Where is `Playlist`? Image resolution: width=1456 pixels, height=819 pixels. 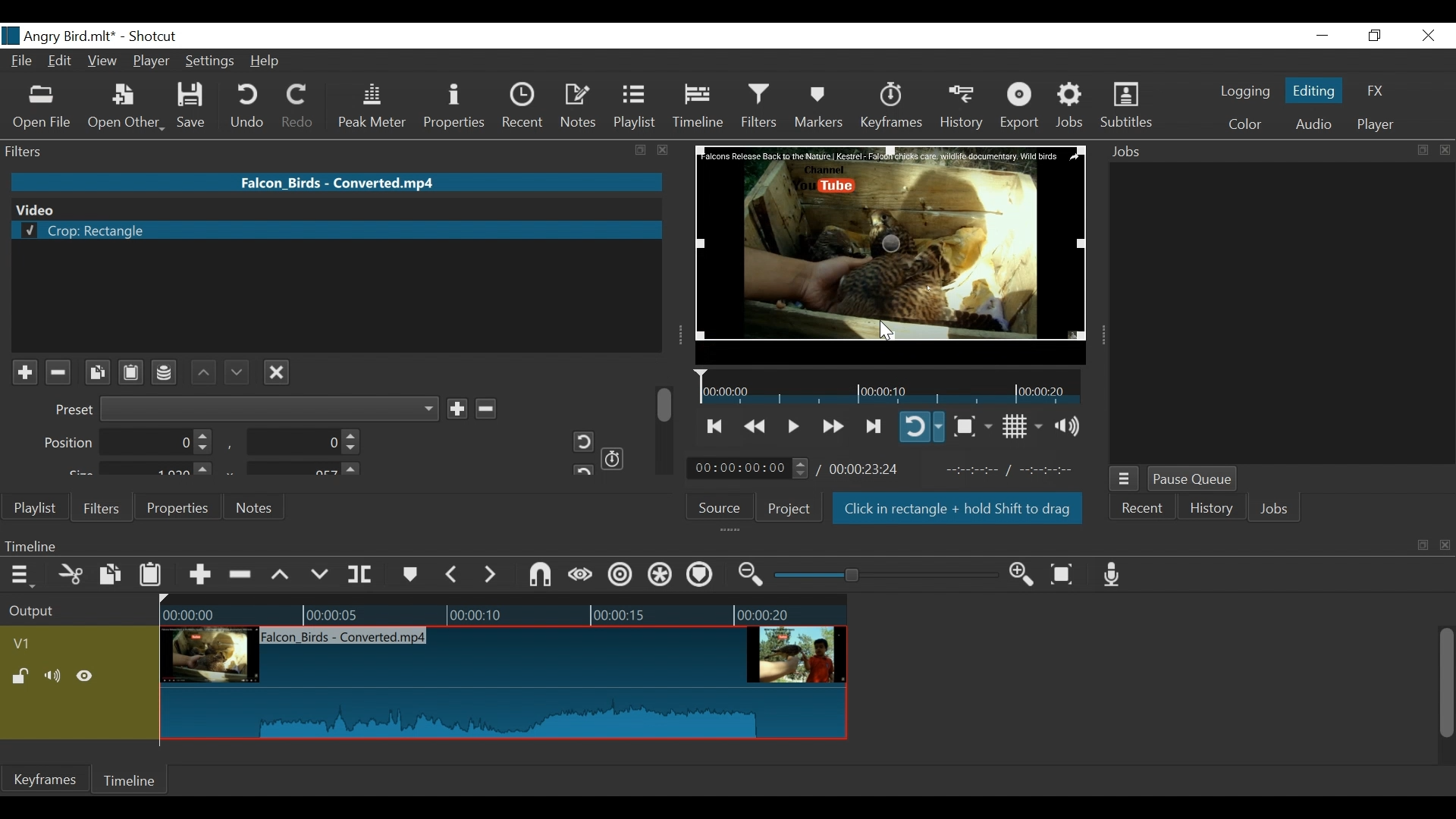 Playlist is located at coordinates (635, 106).